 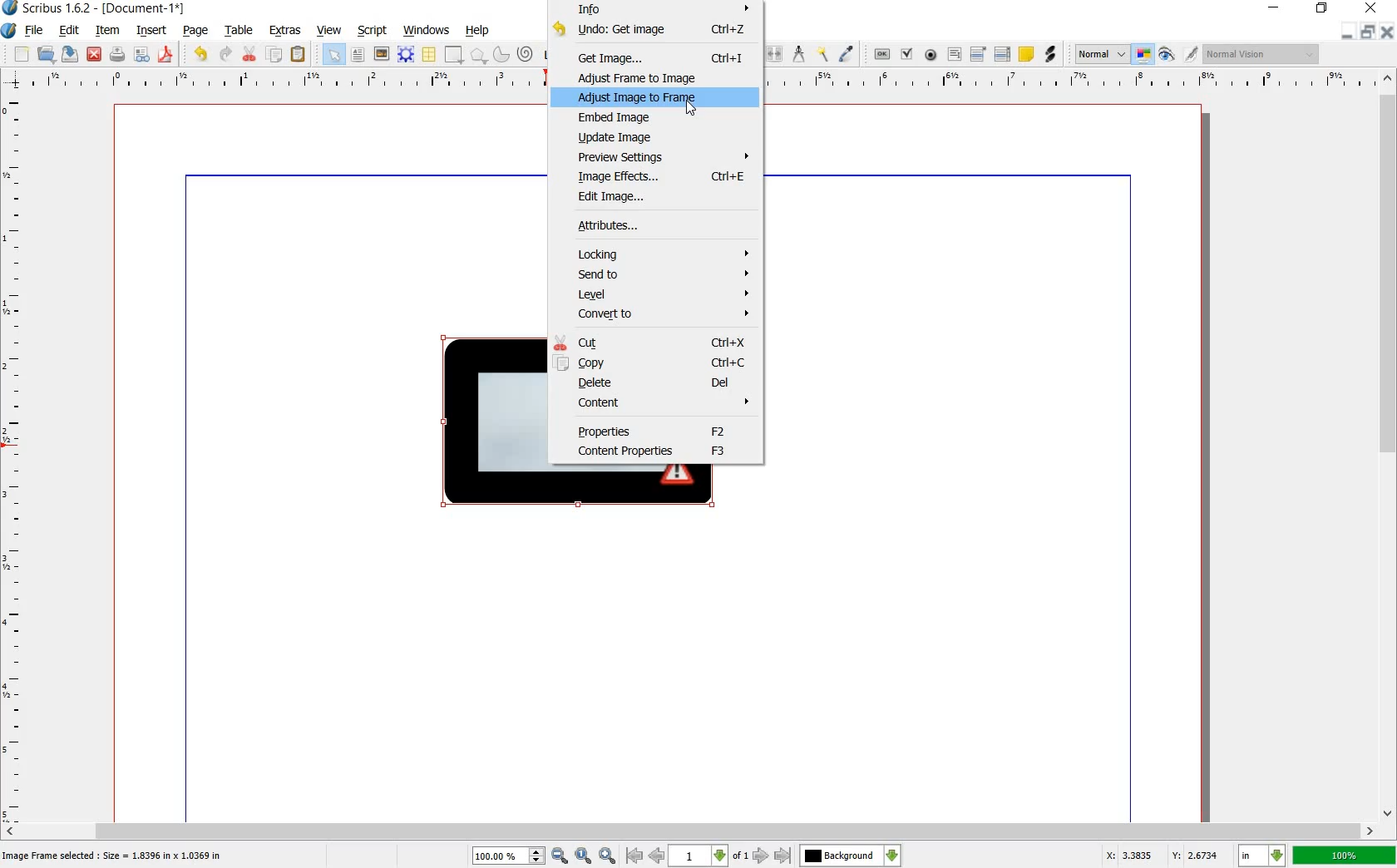 I want to click on file, so click(x=34, y=32).